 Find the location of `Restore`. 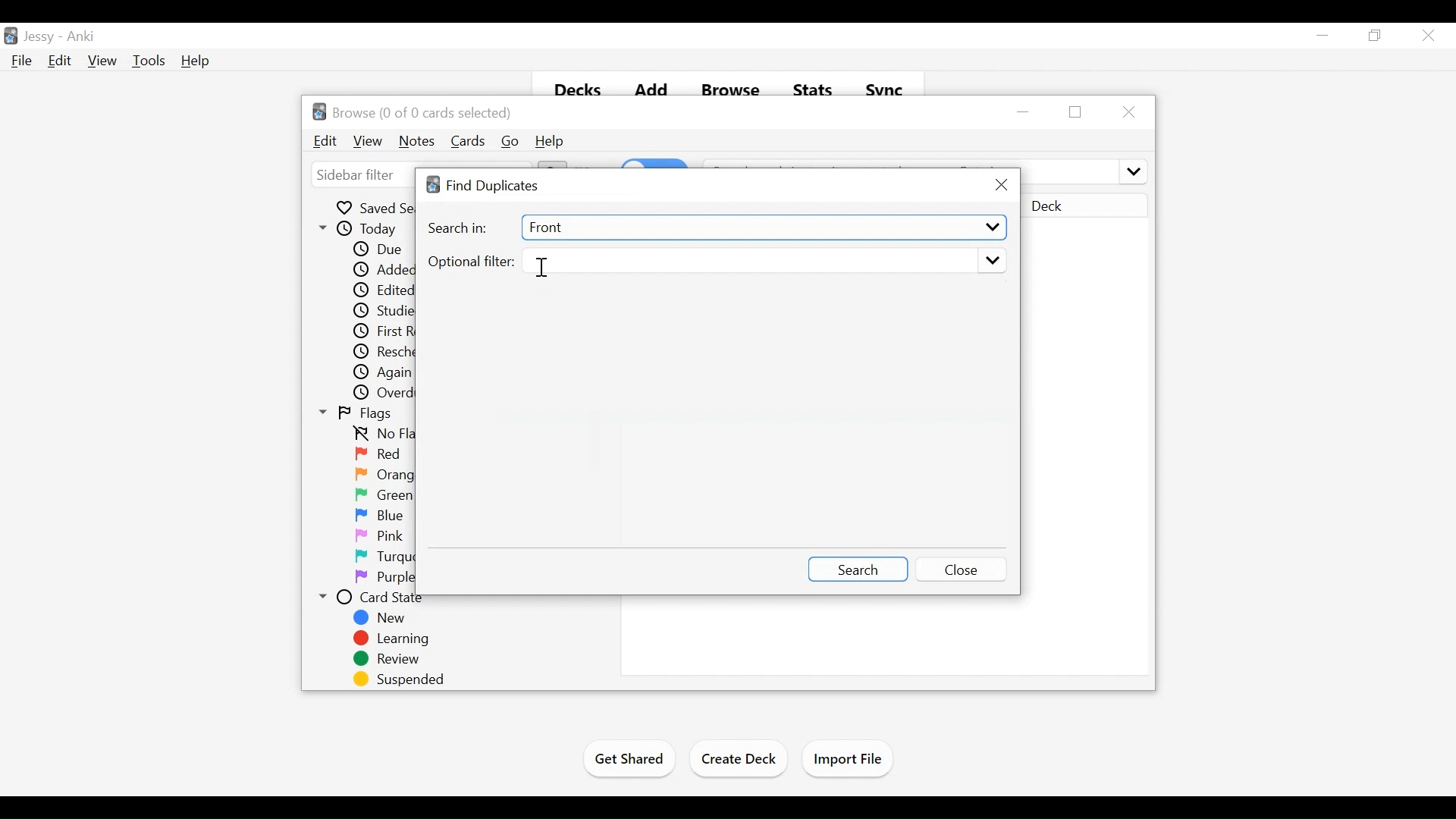

Restore is located at coordinates (1077, 112).